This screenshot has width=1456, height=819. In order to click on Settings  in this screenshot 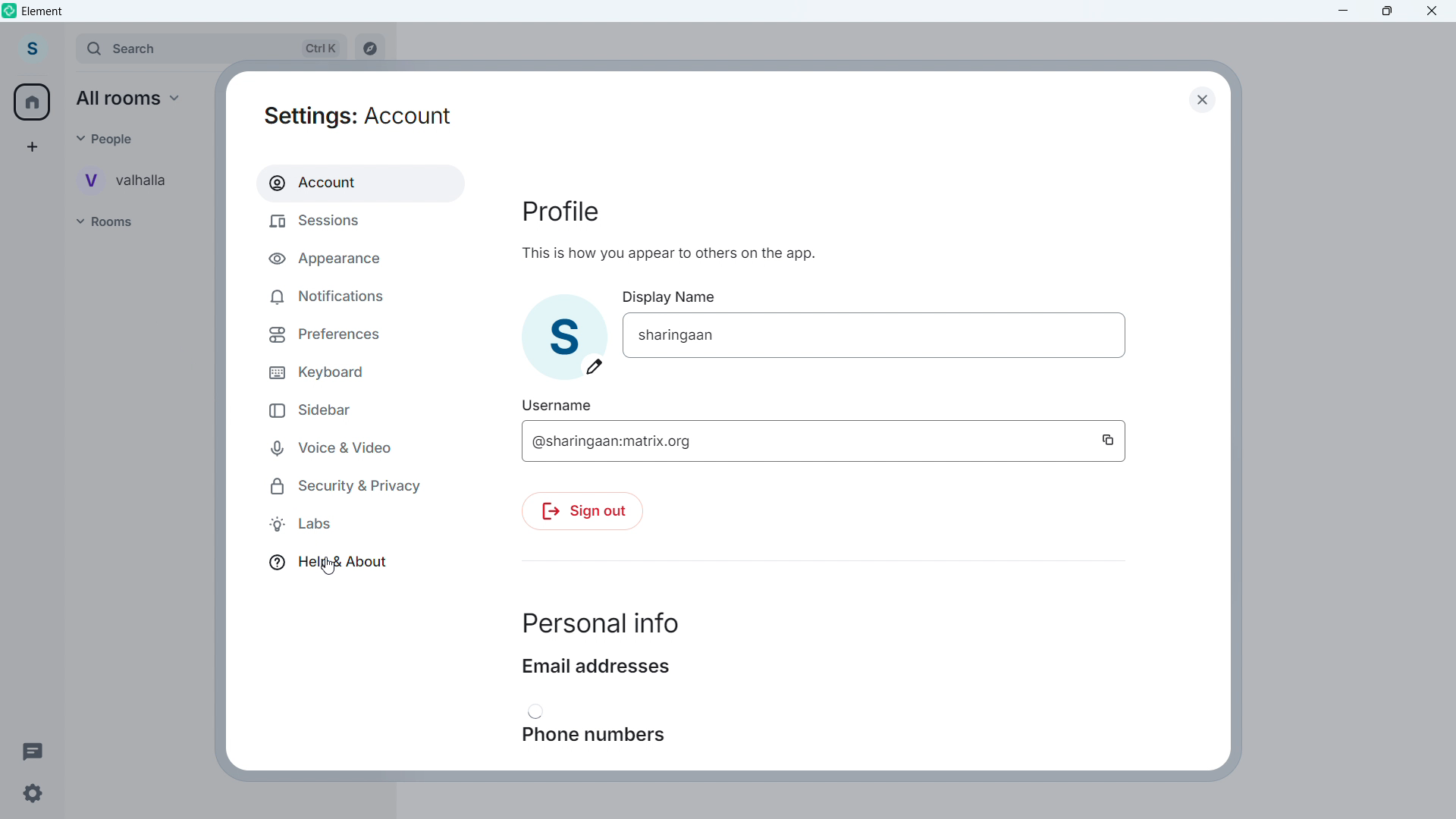, I will do `click(32, 794)`.